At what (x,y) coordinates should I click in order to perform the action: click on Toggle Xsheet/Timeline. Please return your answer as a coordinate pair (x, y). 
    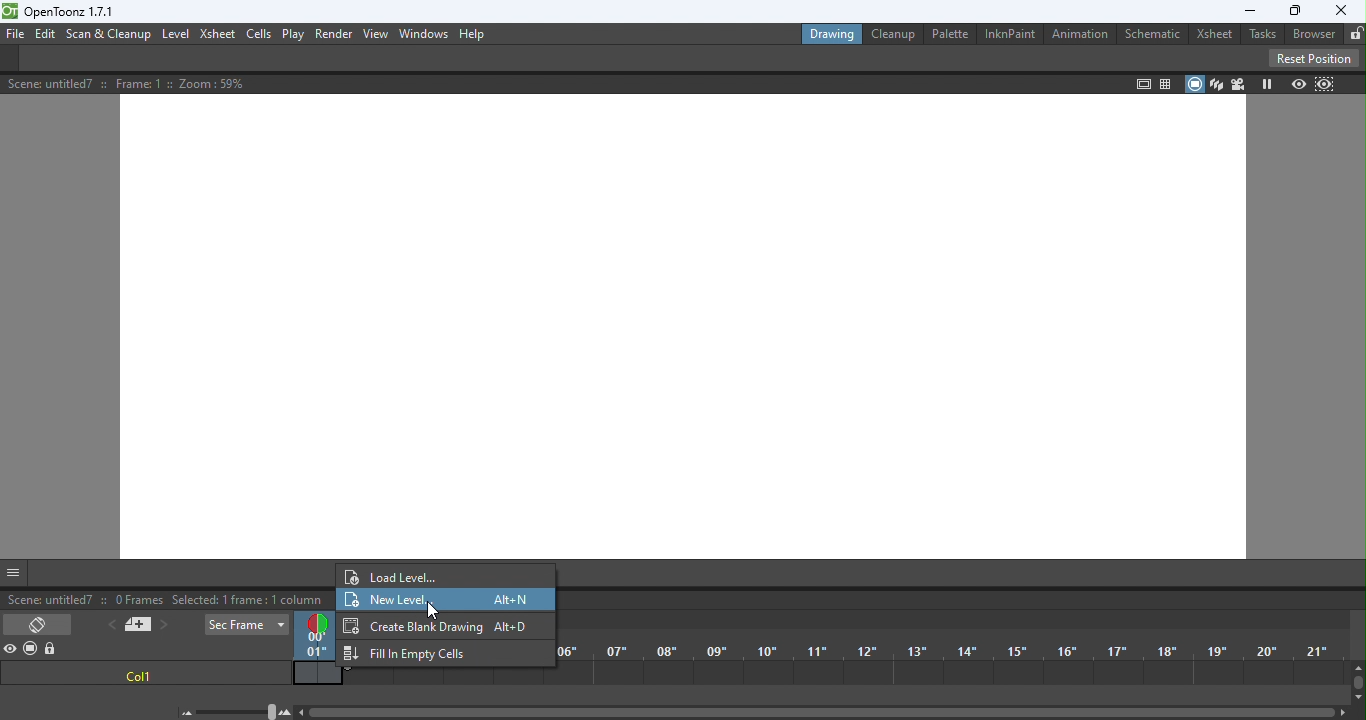
    Looking at the image, I should click on (40, 622).